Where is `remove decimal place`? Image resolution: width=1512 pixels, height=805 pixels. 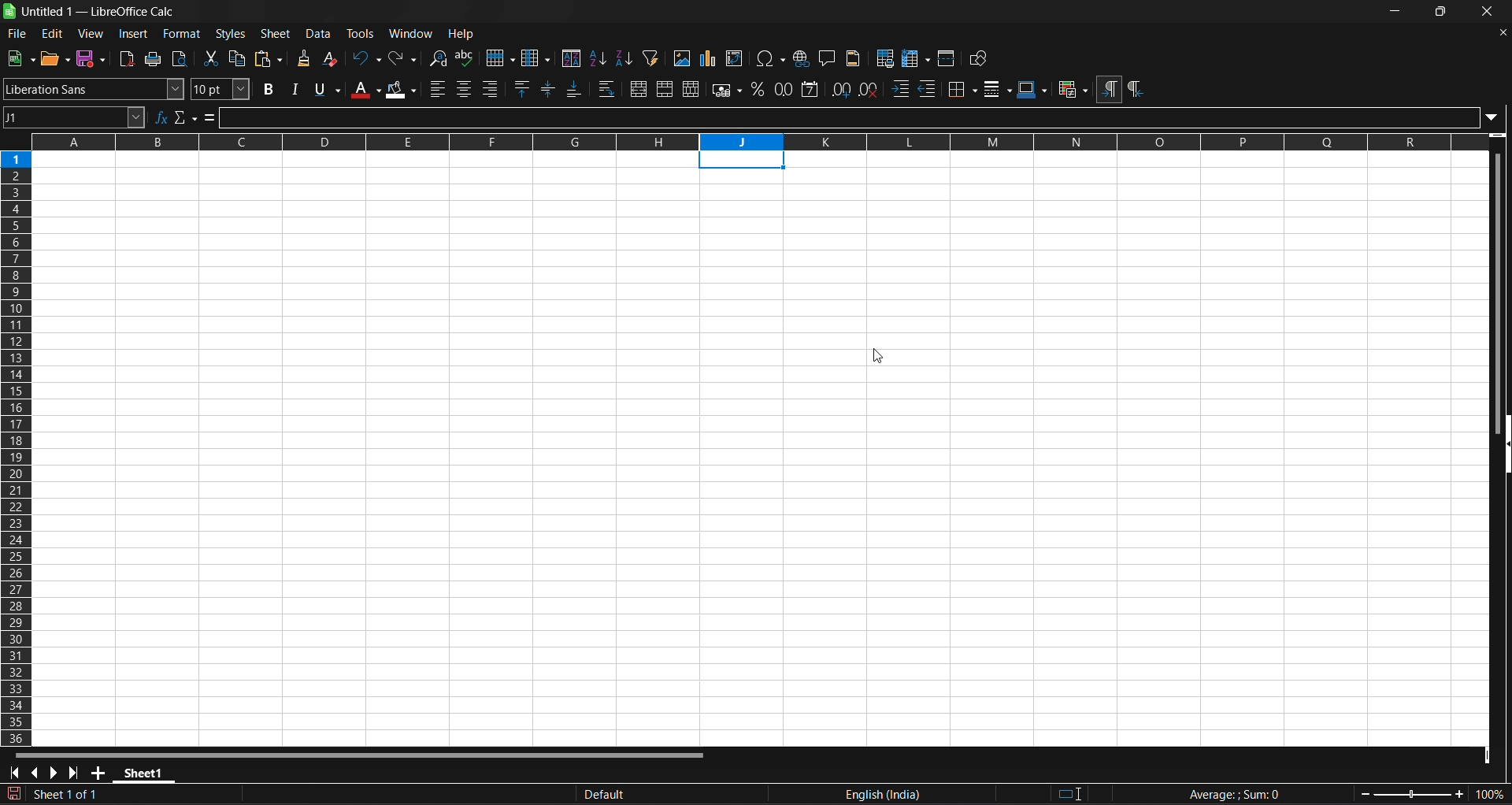
remove decimal place is located at coordinates (868, 91).